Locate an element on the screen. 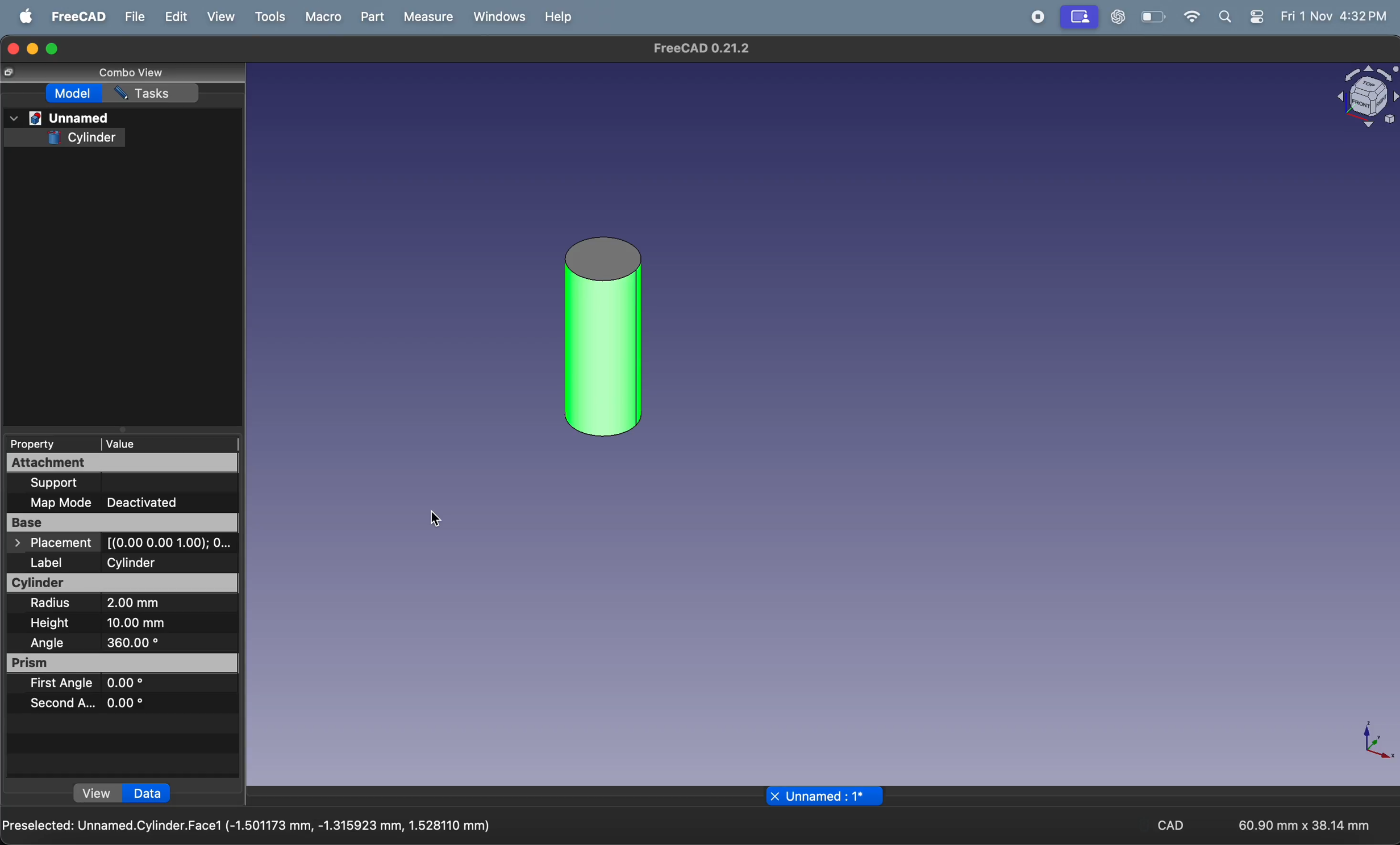  cylinder is located at coordinates (161, 562).